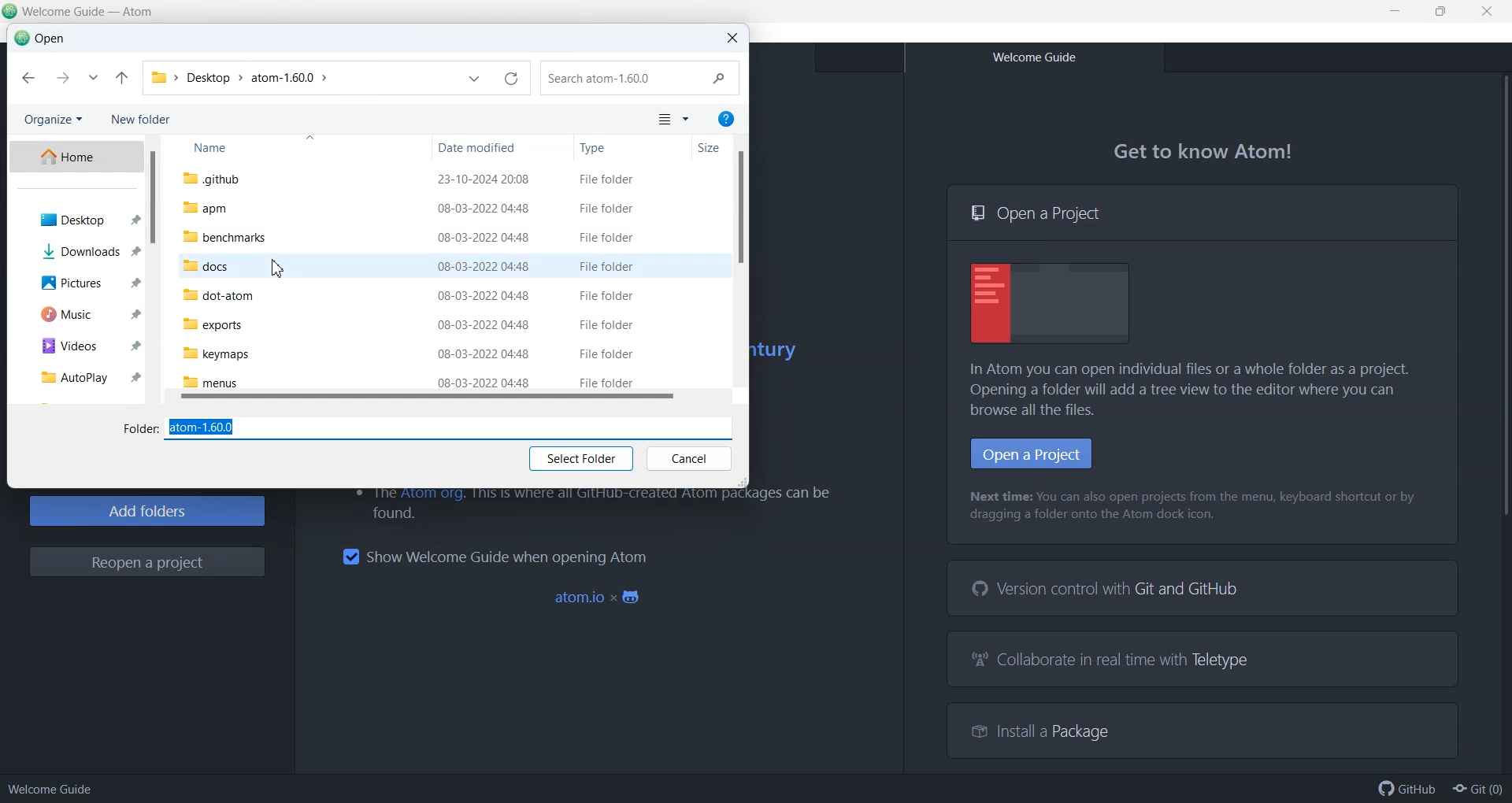  I want to click on Get Help, so click(726, 118).